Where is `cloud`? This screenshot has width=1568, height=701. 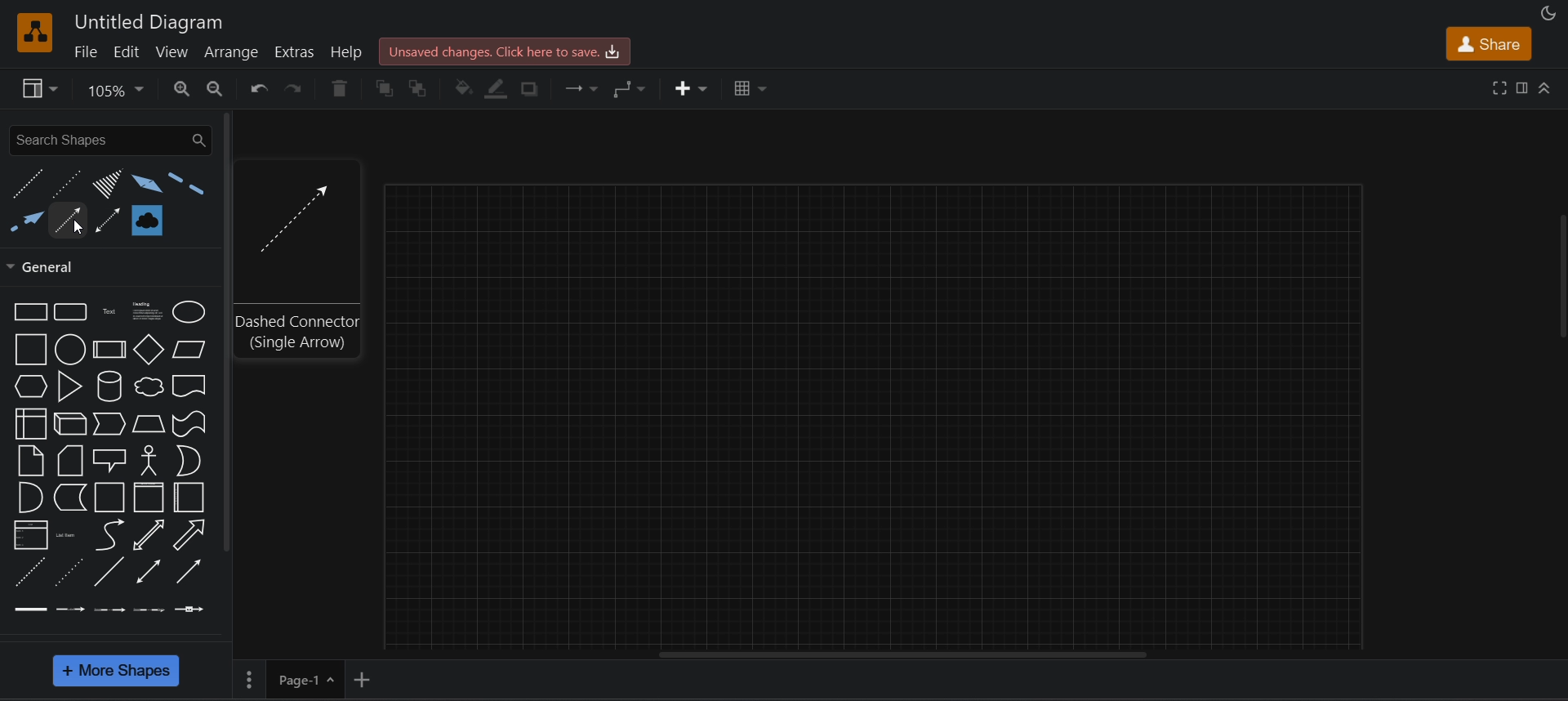
cloud is located at coordinates (148, 386).